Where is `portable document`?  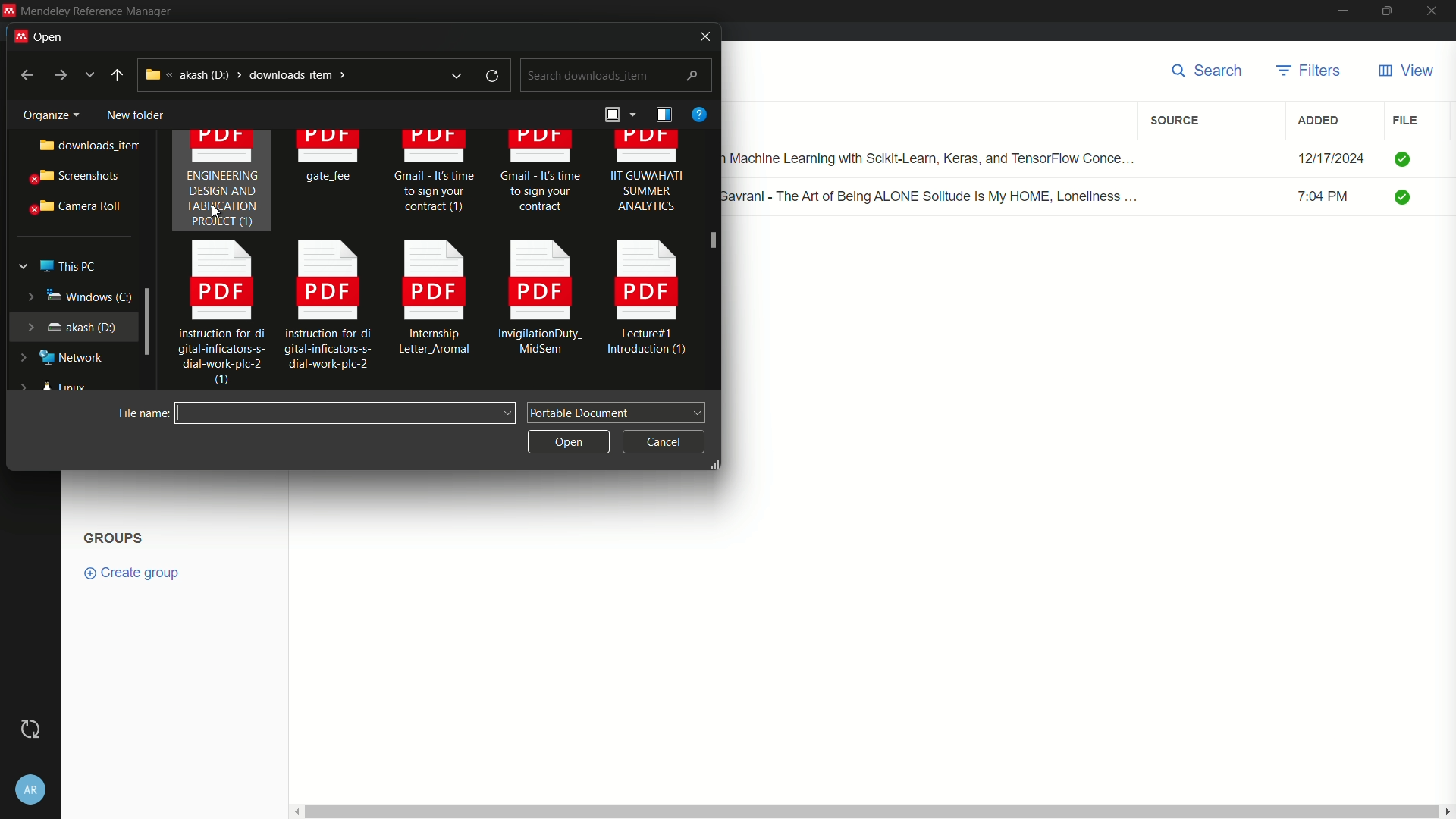 portable document is located at coordinates (617, 411).